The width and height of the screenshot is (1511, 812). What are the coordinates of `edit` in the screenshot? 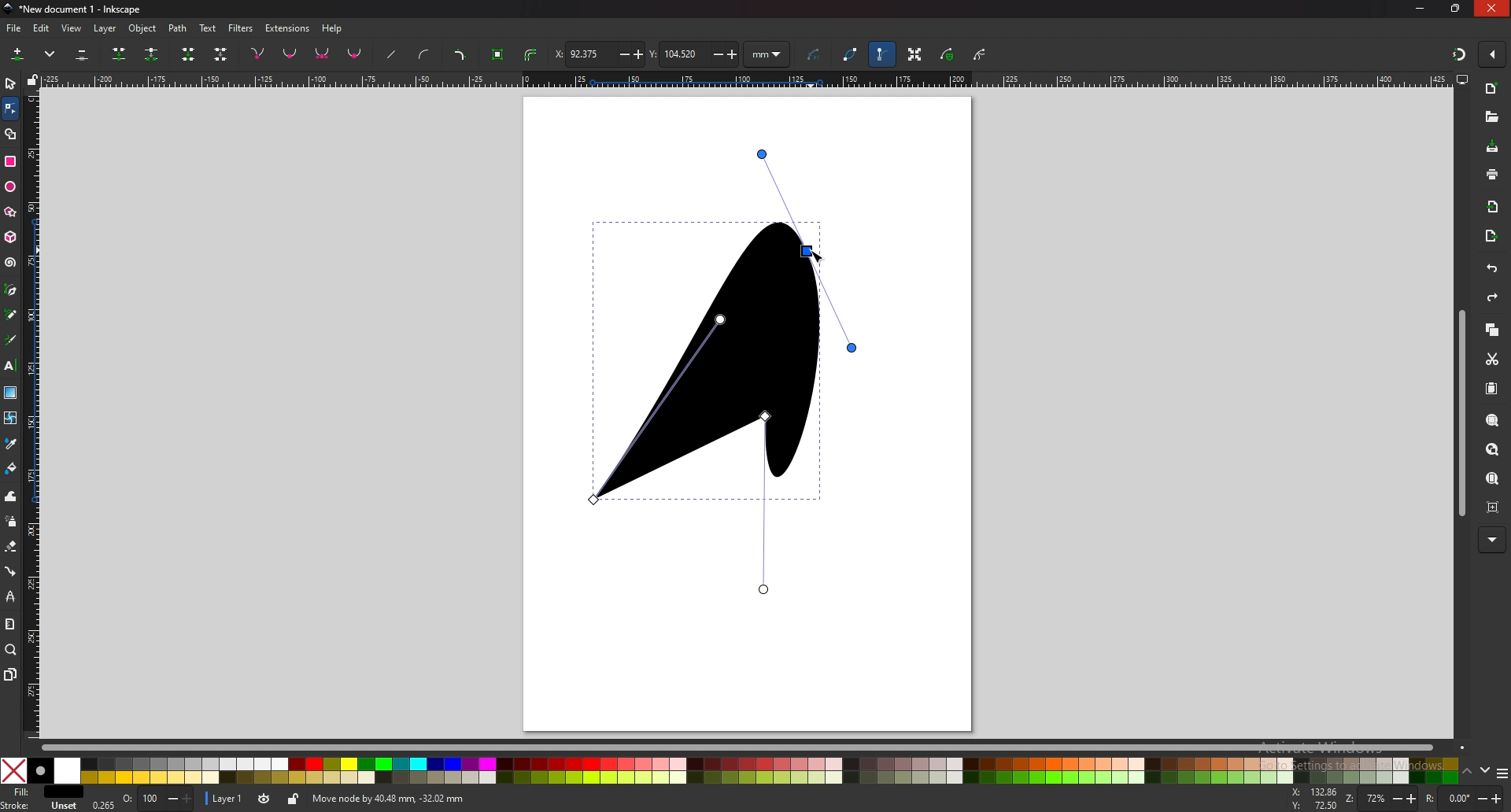 It's located at (42, 29).